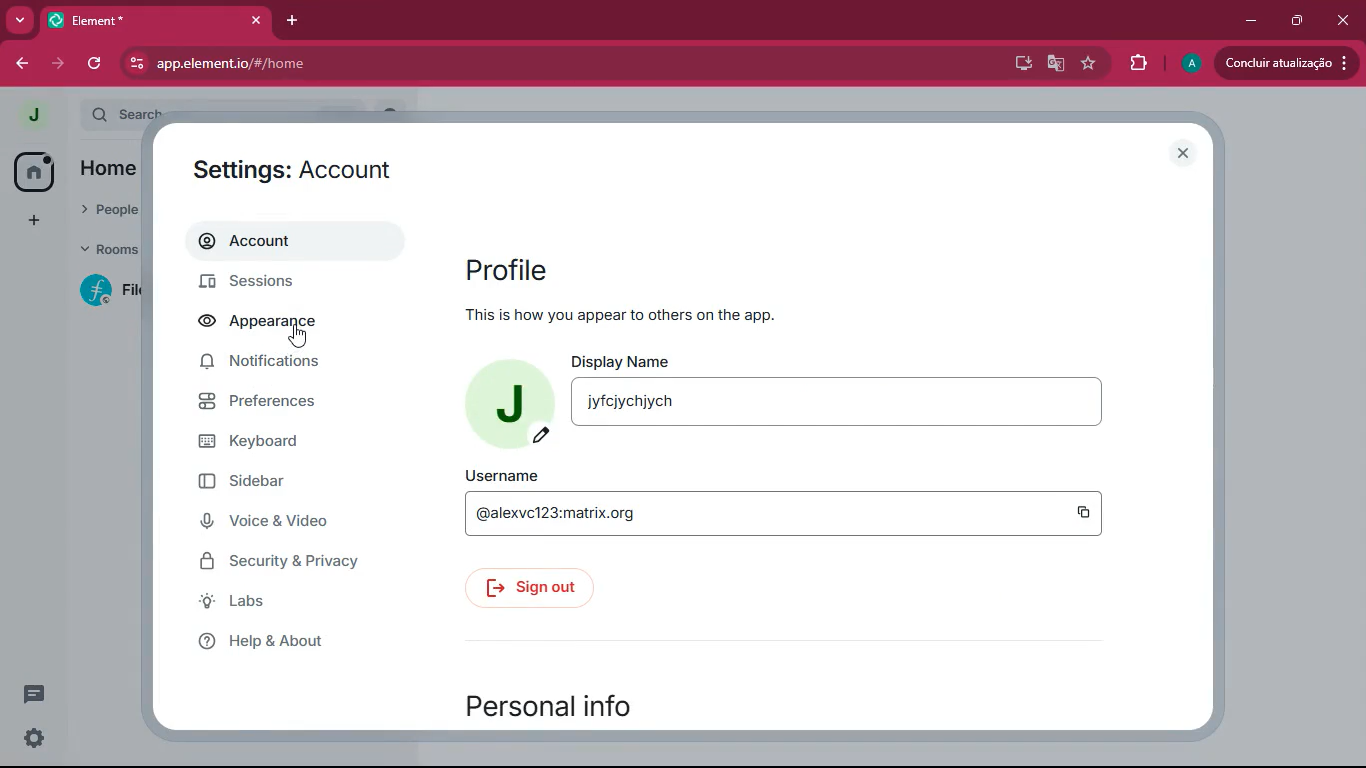 The width and height of the screenshot is (1366, 768). What do you see at coordinates (32, 112) in the screenshot?
I see `profile picture` at bounding box center [32, 112].